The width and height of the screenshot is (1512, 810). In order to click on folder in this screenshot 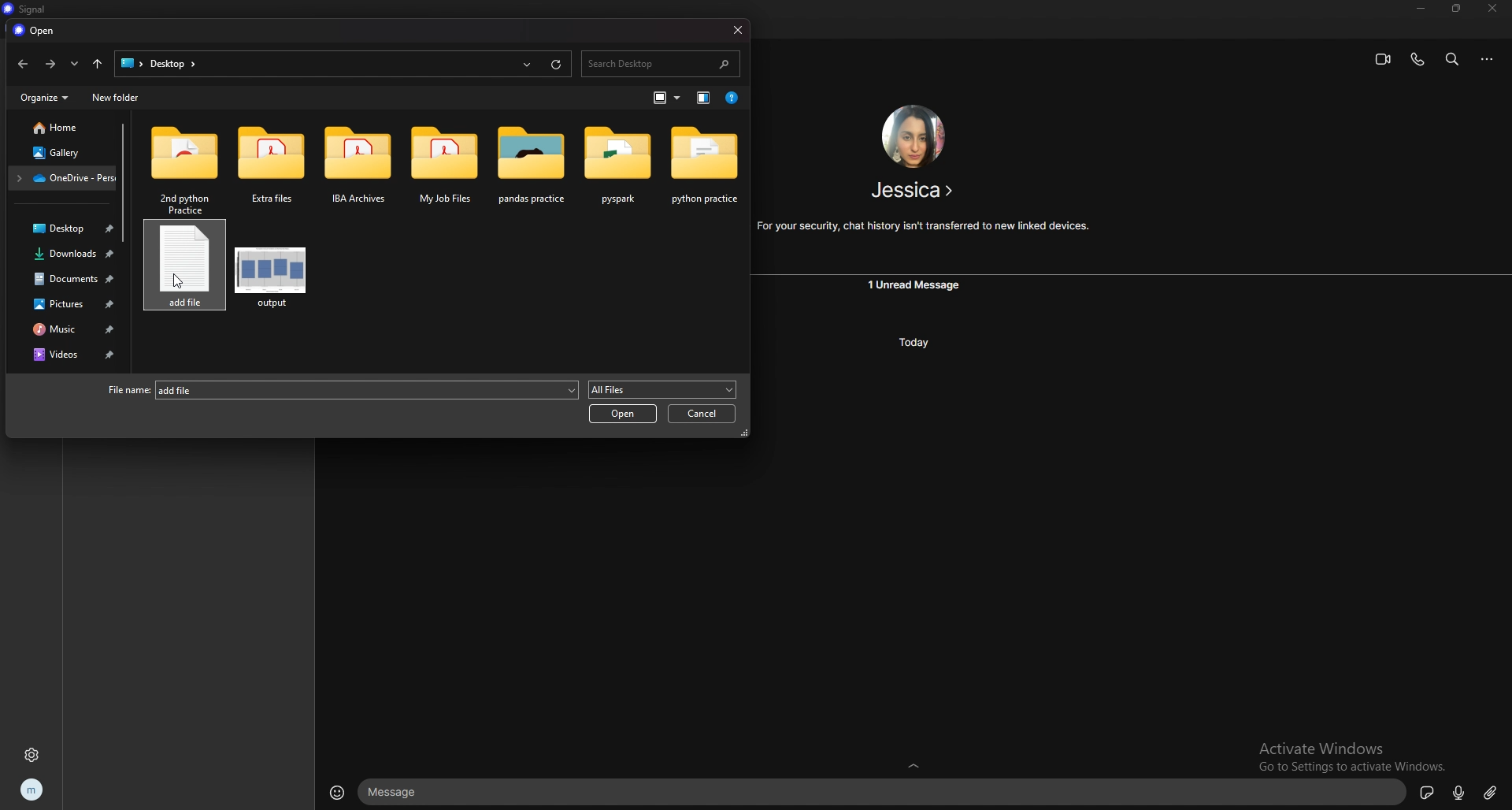, I will do `click(172, 63)`.